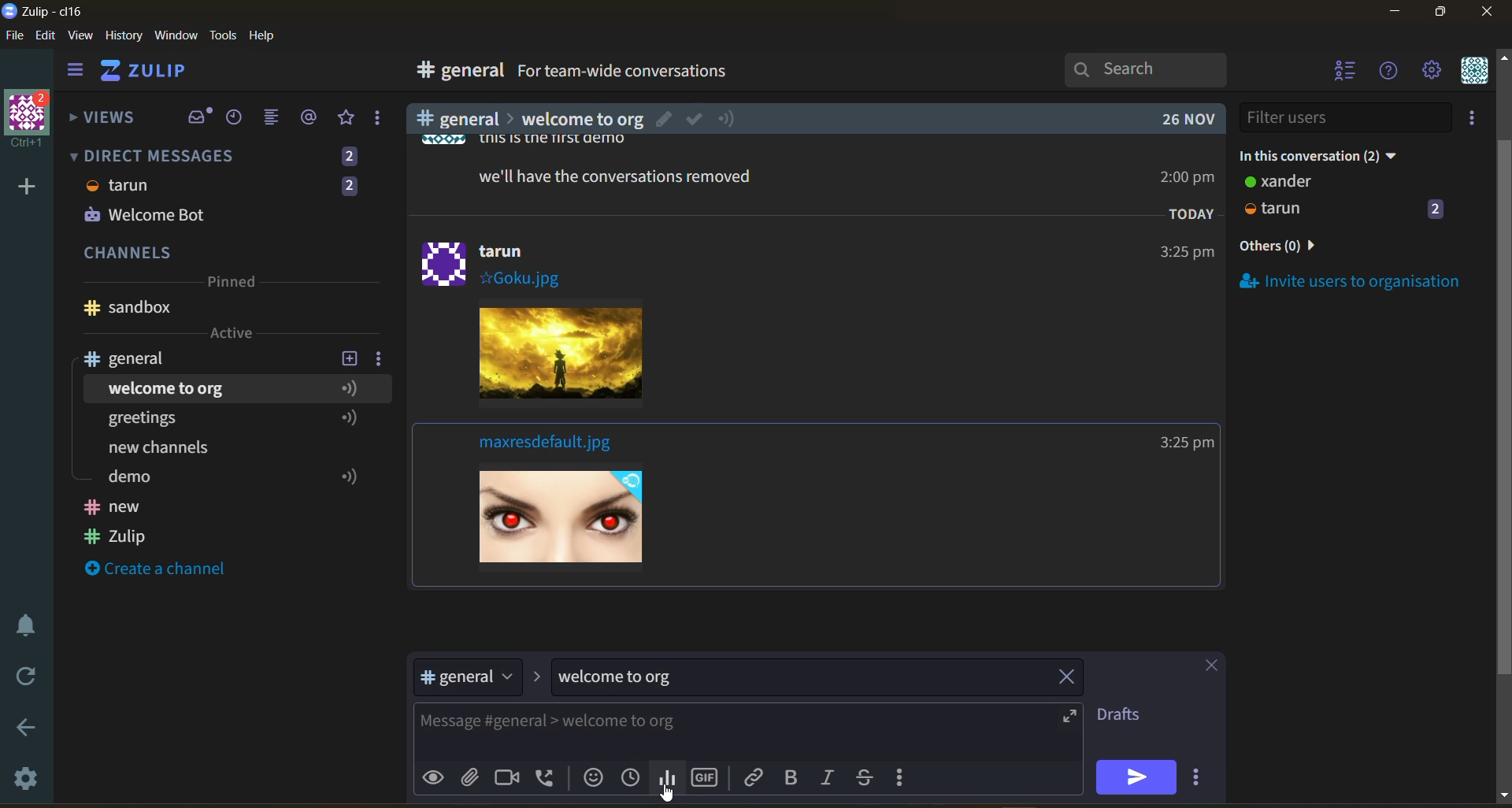 The width and height of the screenshot is (1512, 808). Describe the element at coordinates (239, 119) in the screenshot. I see `recent conversations` at that location.